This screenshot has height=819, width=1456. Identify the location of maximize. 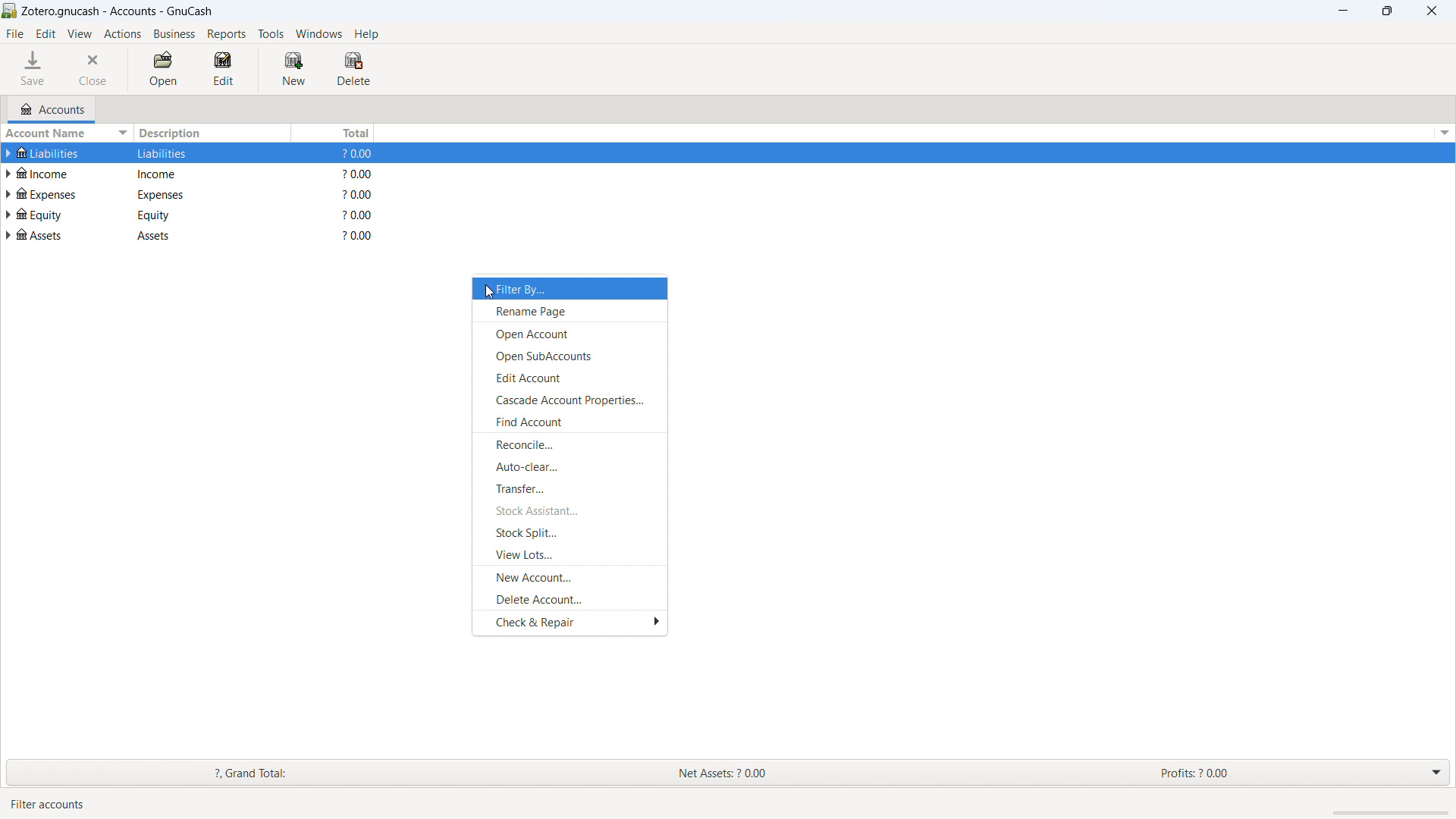
(1387, 10).